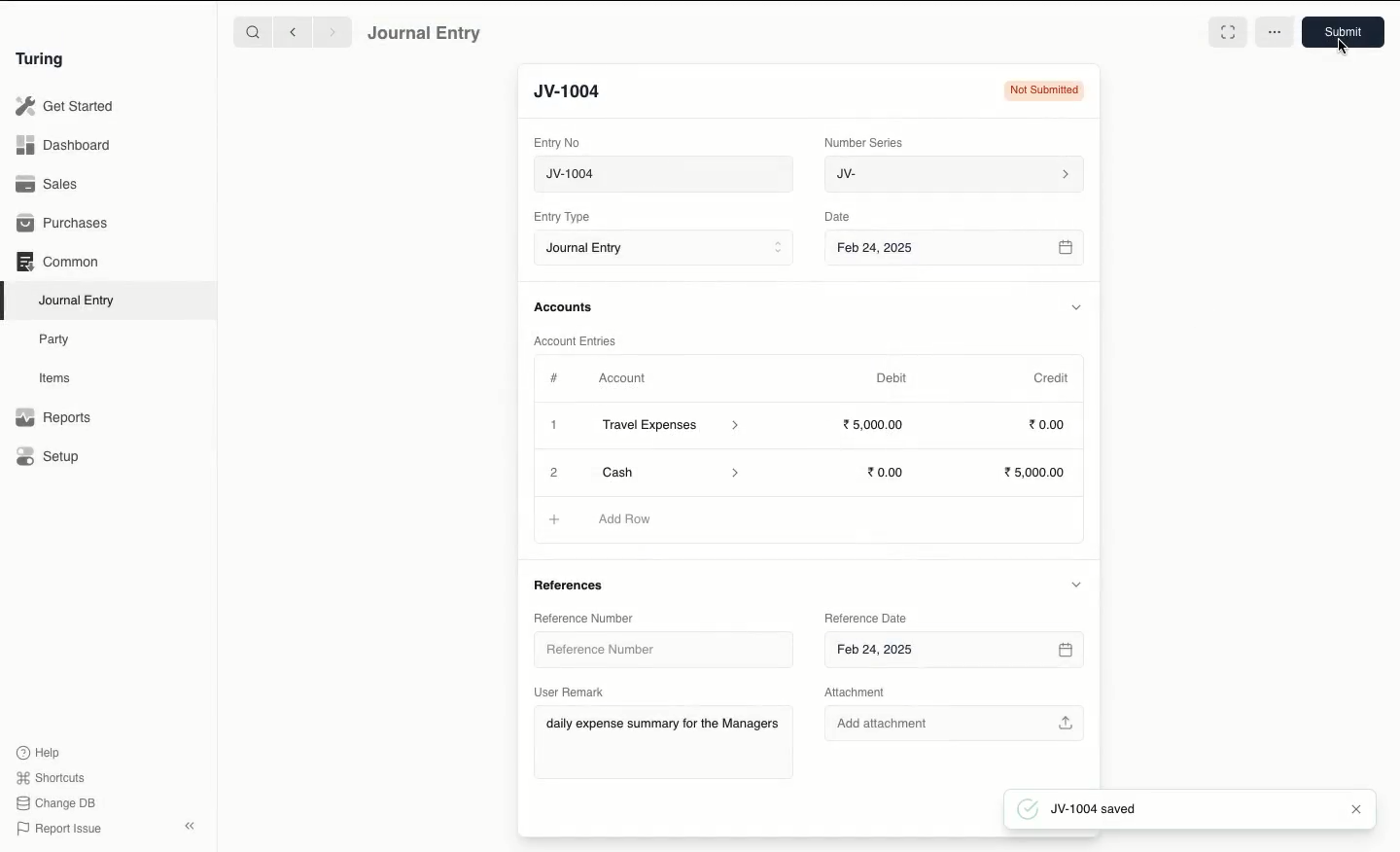 This screenshot has height=852, width=1400. I want to click on New Journal Entry 01, so click(662, 173).